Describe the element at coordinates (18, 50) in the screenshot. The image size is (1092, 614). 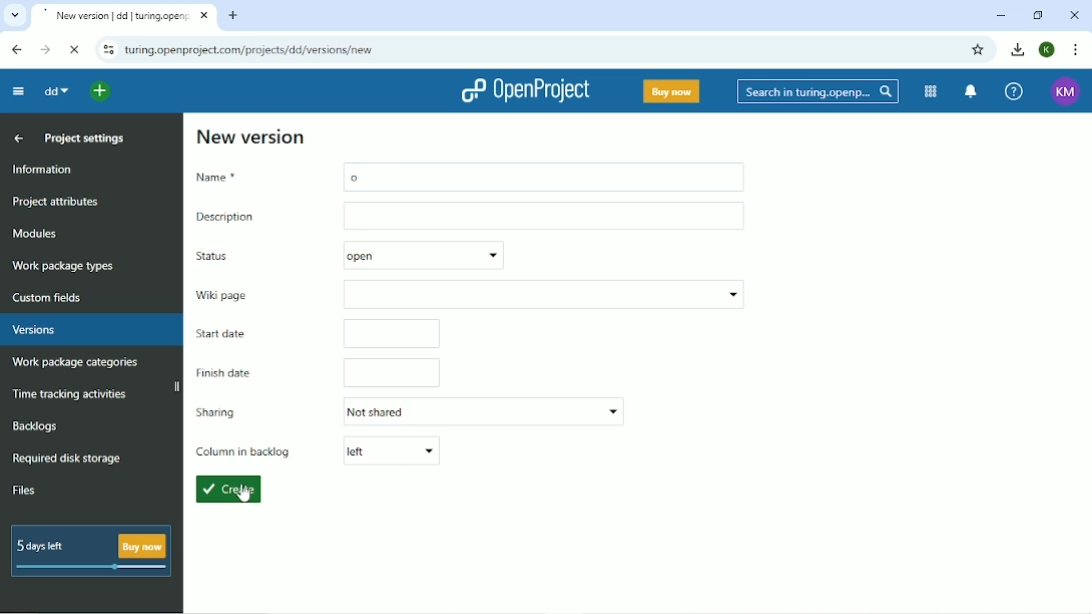
I see `Back` at that location.